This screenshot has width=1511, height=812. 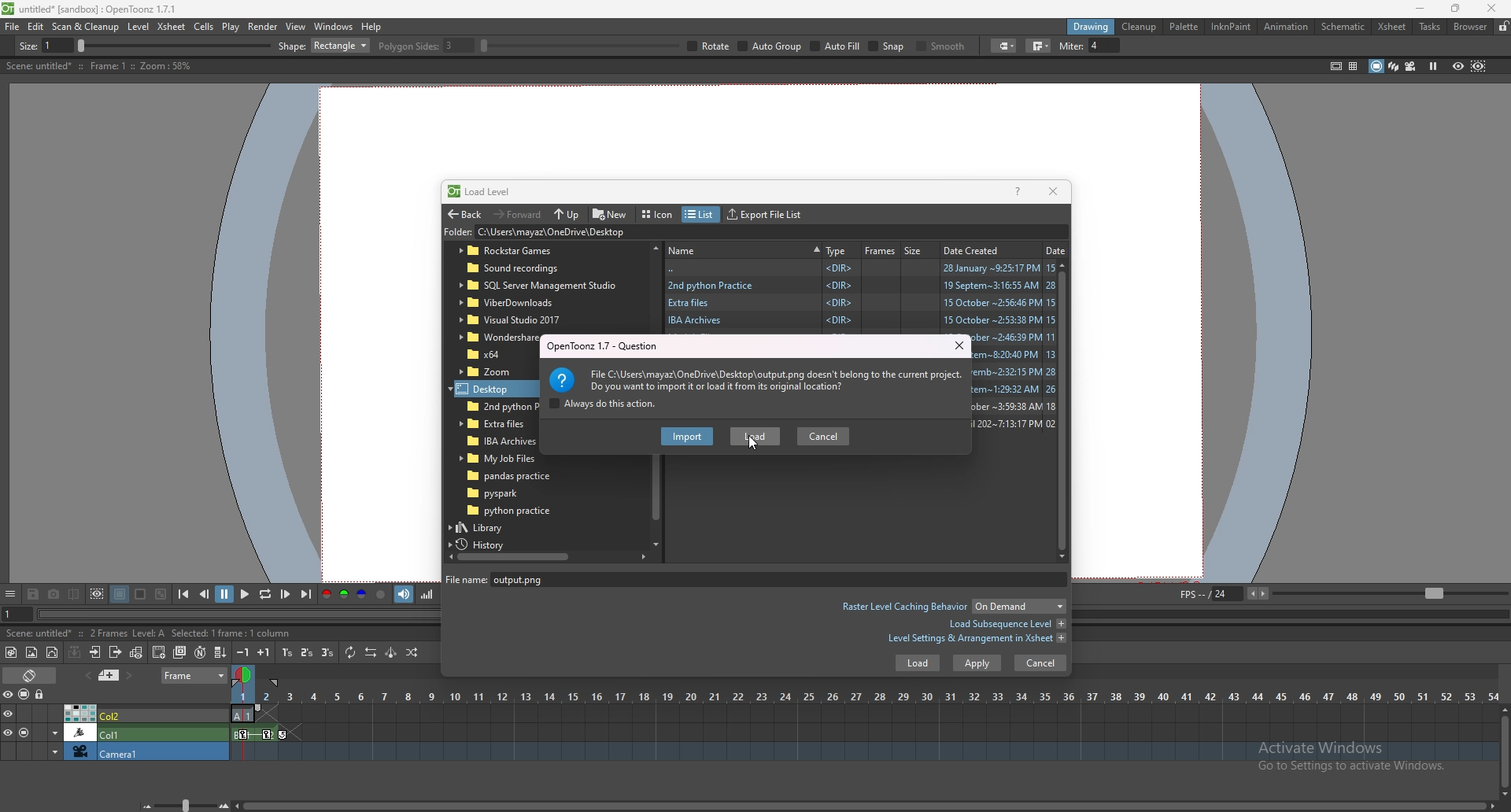 What do you see at coordinates (534, 579) in the screenshot?
I see `file name` at bounding box center [534, 579].